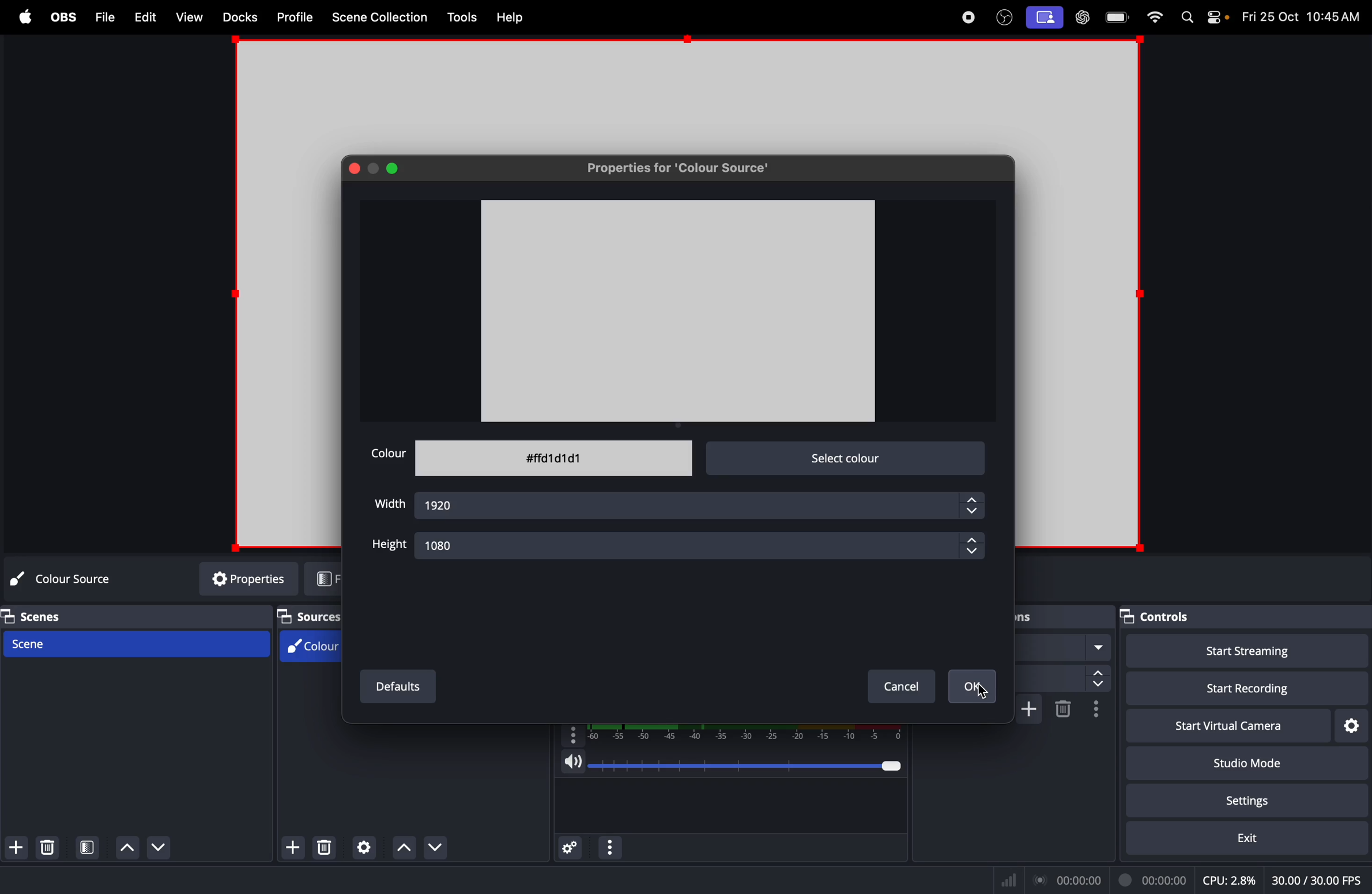 The width and height of the screenshot is (1372, 894). I want to click on cancel, so click(898, 689).